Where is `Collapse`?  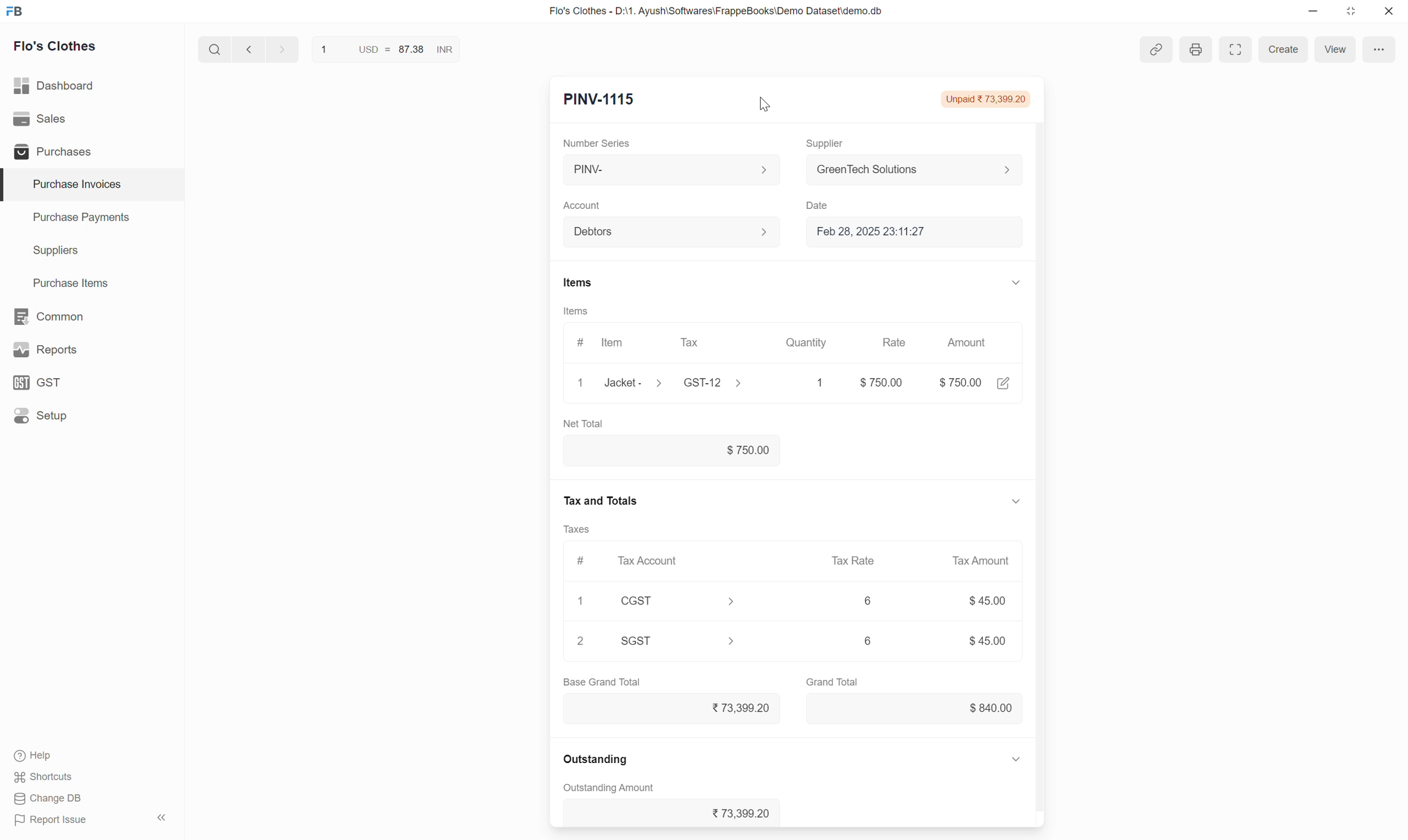
Collapse is located at coordinates (1017, 502).